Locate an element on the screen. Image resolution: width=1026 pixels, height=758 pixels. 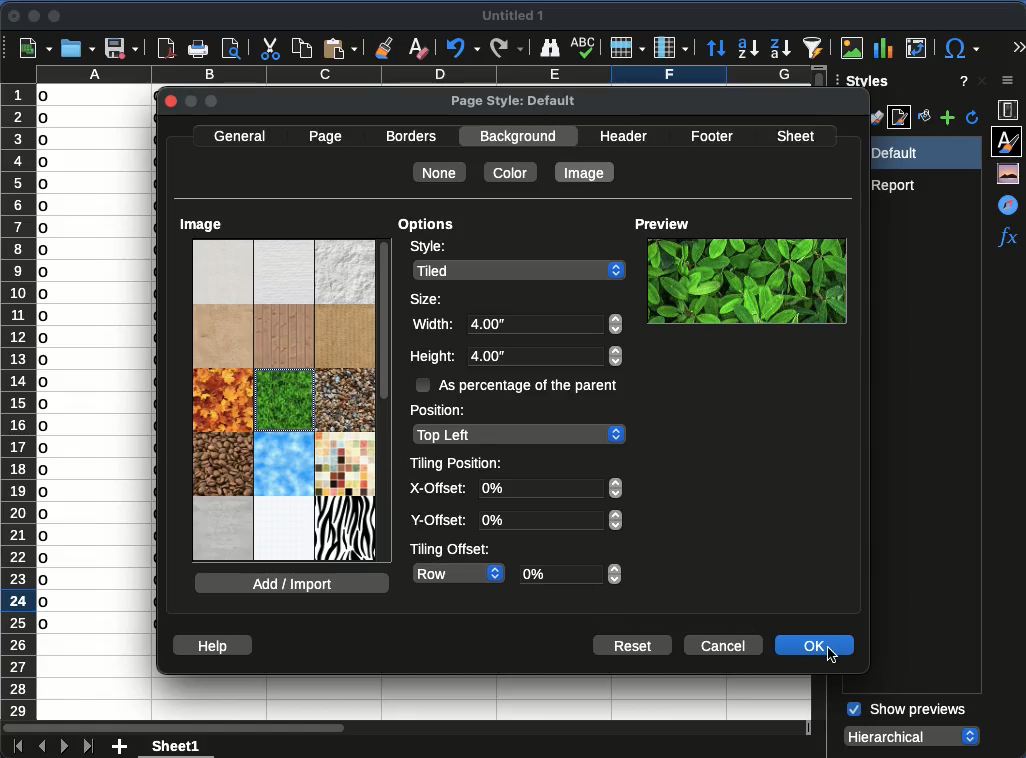
special character is located at coordinates (961, 48).